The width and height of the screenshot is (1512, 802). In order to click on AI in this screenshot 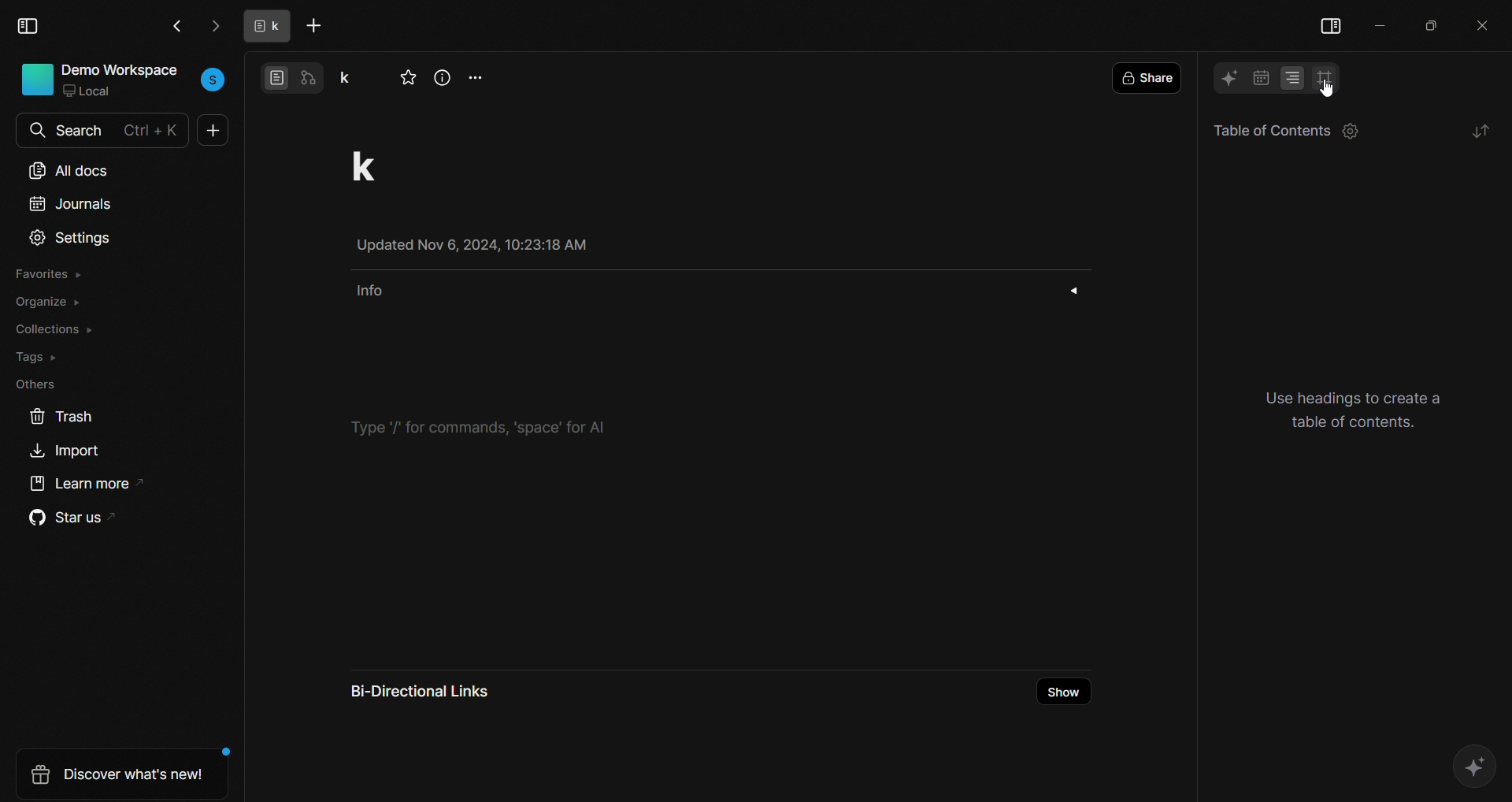, I will do `click(1228, 76)`.